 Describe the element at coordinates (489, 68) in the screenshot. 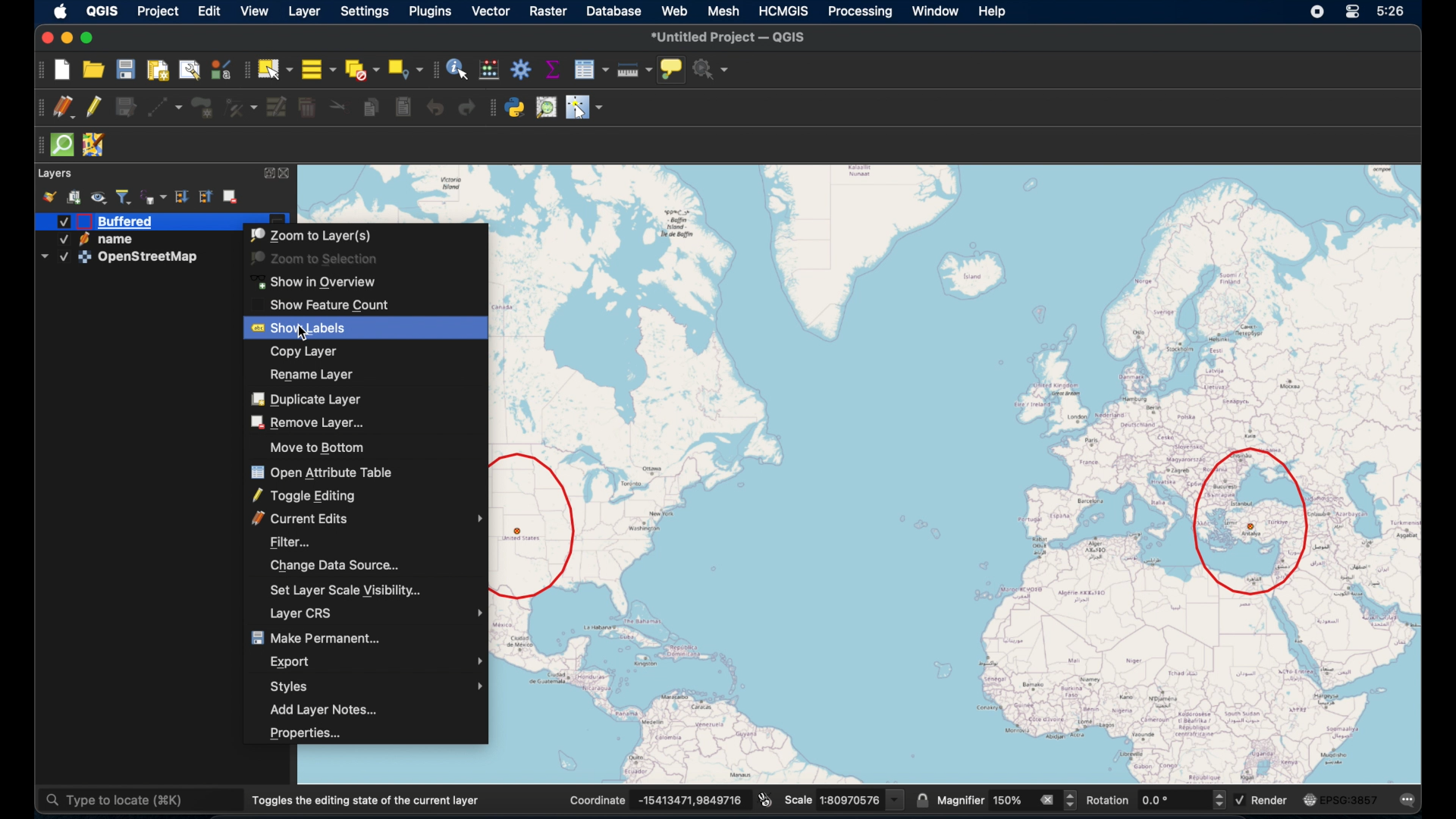

I see `open field calculator` at that location.